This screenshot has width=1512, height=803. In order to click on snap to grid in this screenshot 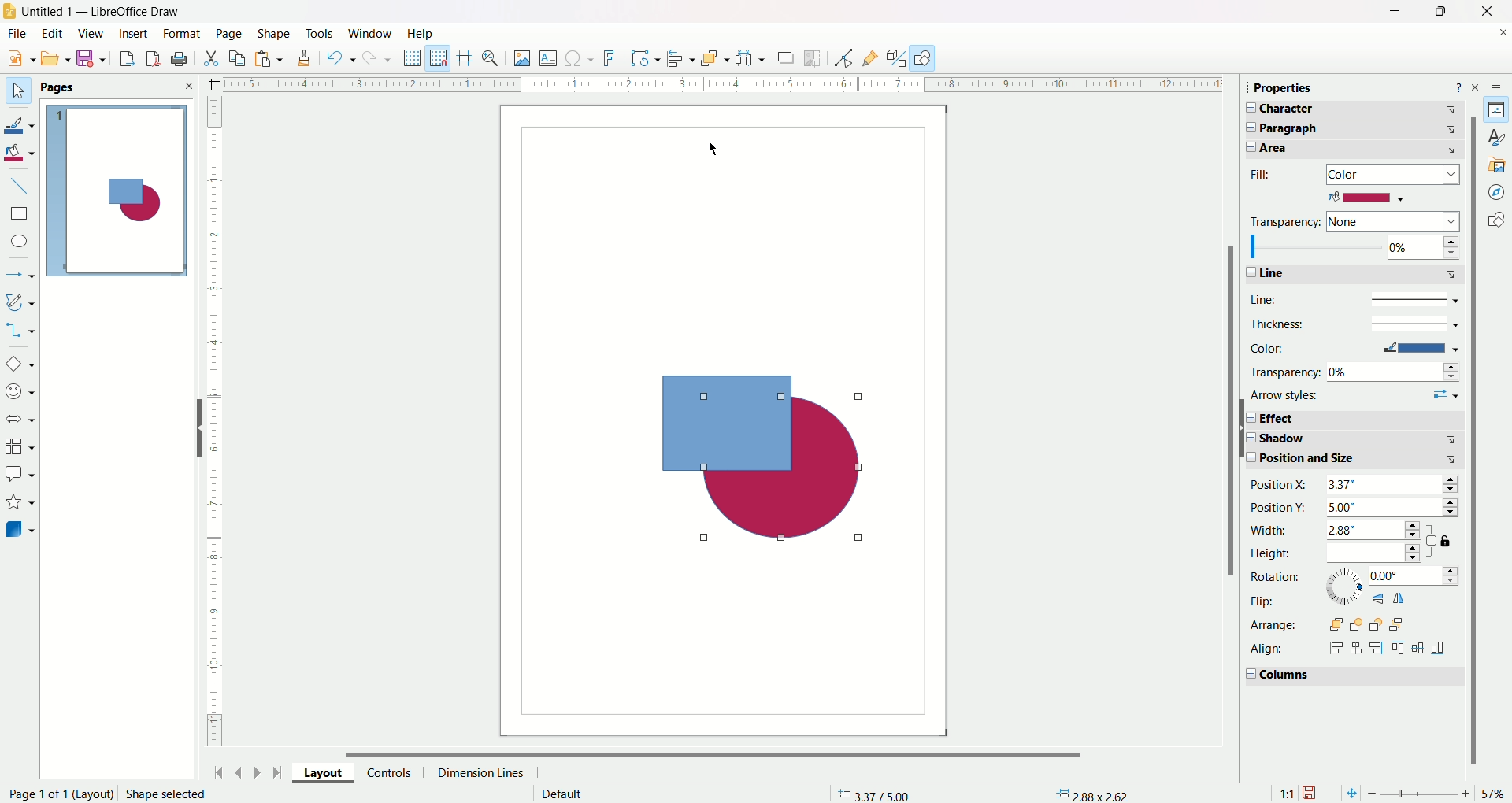, I will do `click(441, 57)`.